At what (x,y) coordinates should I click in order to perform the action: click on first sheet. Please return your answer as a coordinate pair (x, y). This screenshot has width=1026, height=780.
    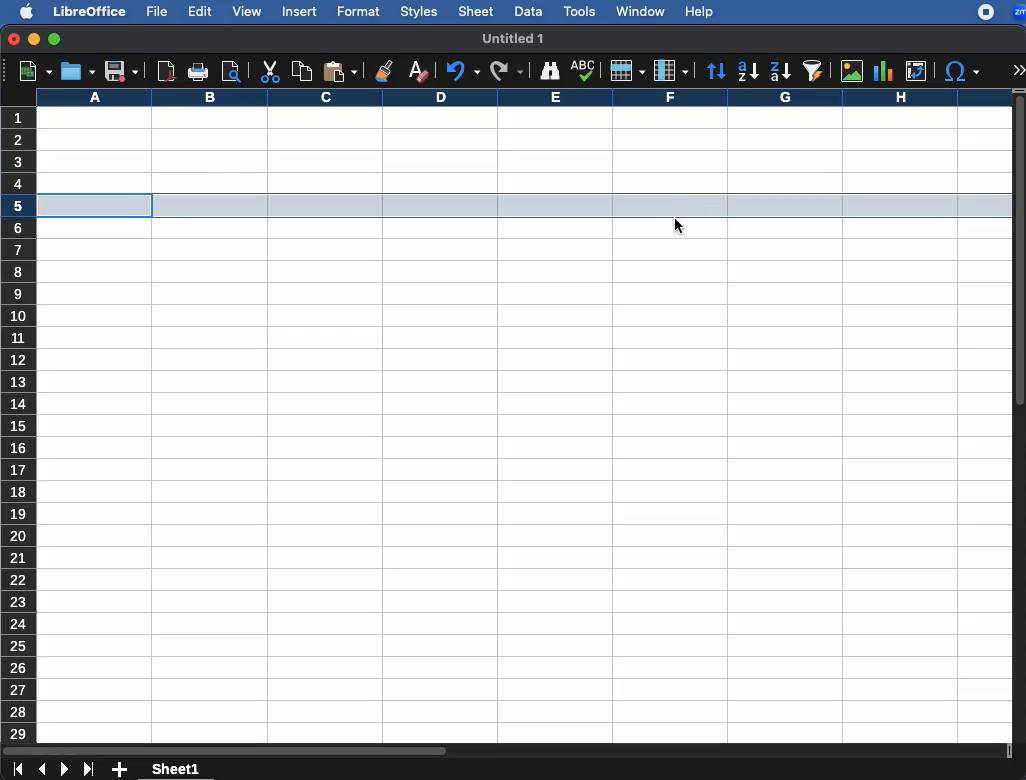
    Looking at the image, I should click on (17, 768).